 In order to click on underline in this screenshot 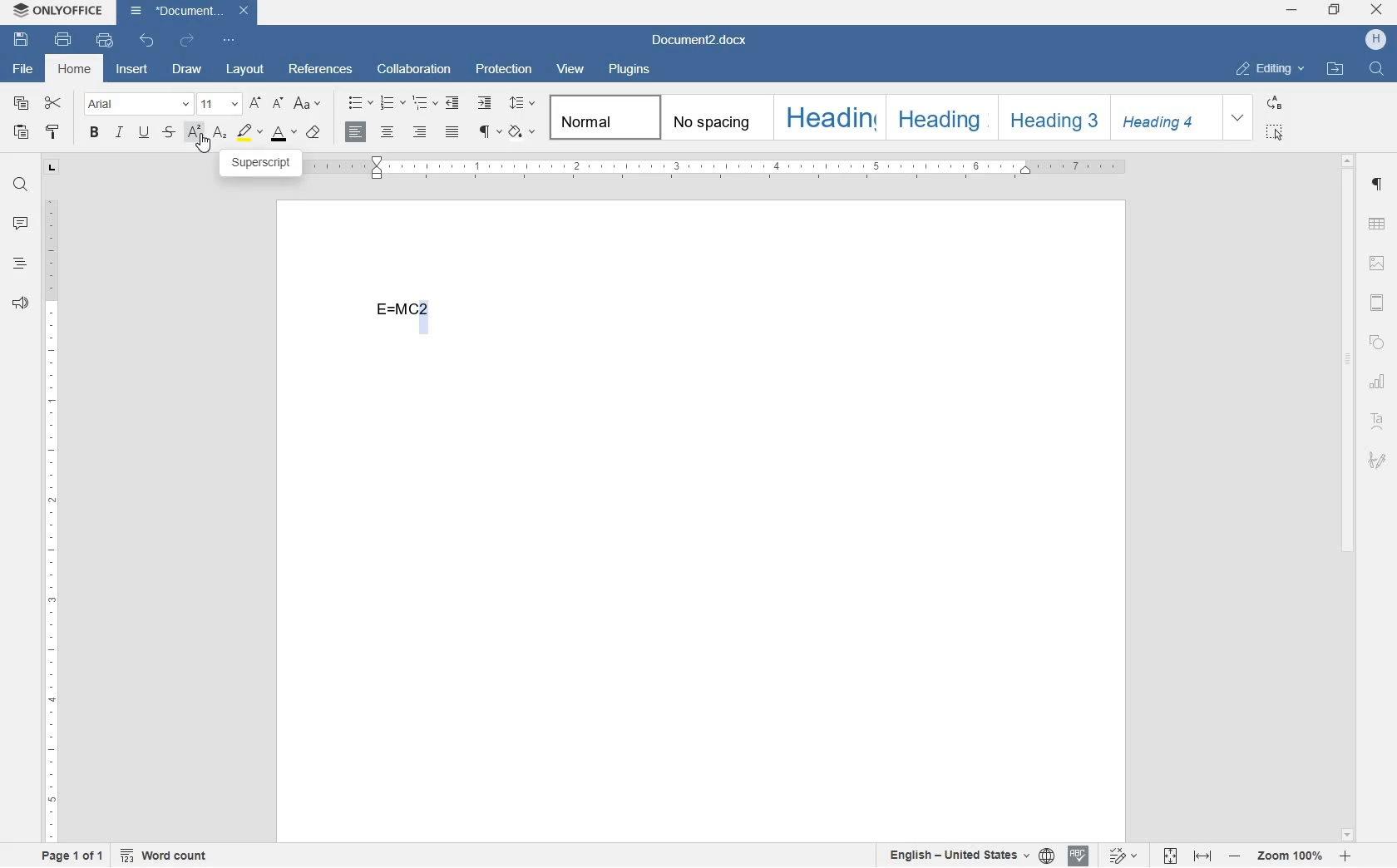, I will do `click(146, 131)`.